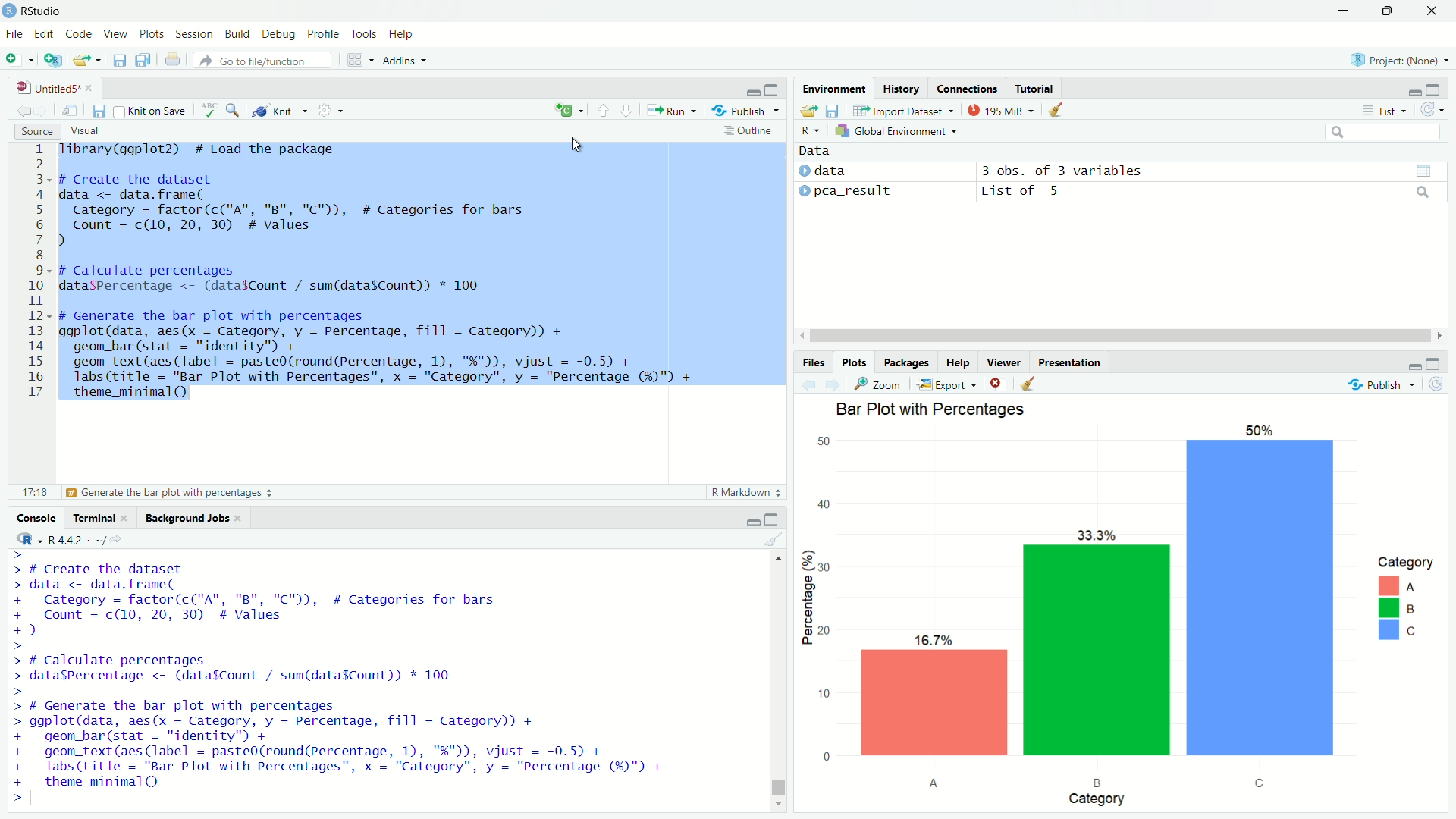  What do you see at coordinates (1433, 362) in the screenshot?
I see `maximize` at bounding box center [1433, 362].